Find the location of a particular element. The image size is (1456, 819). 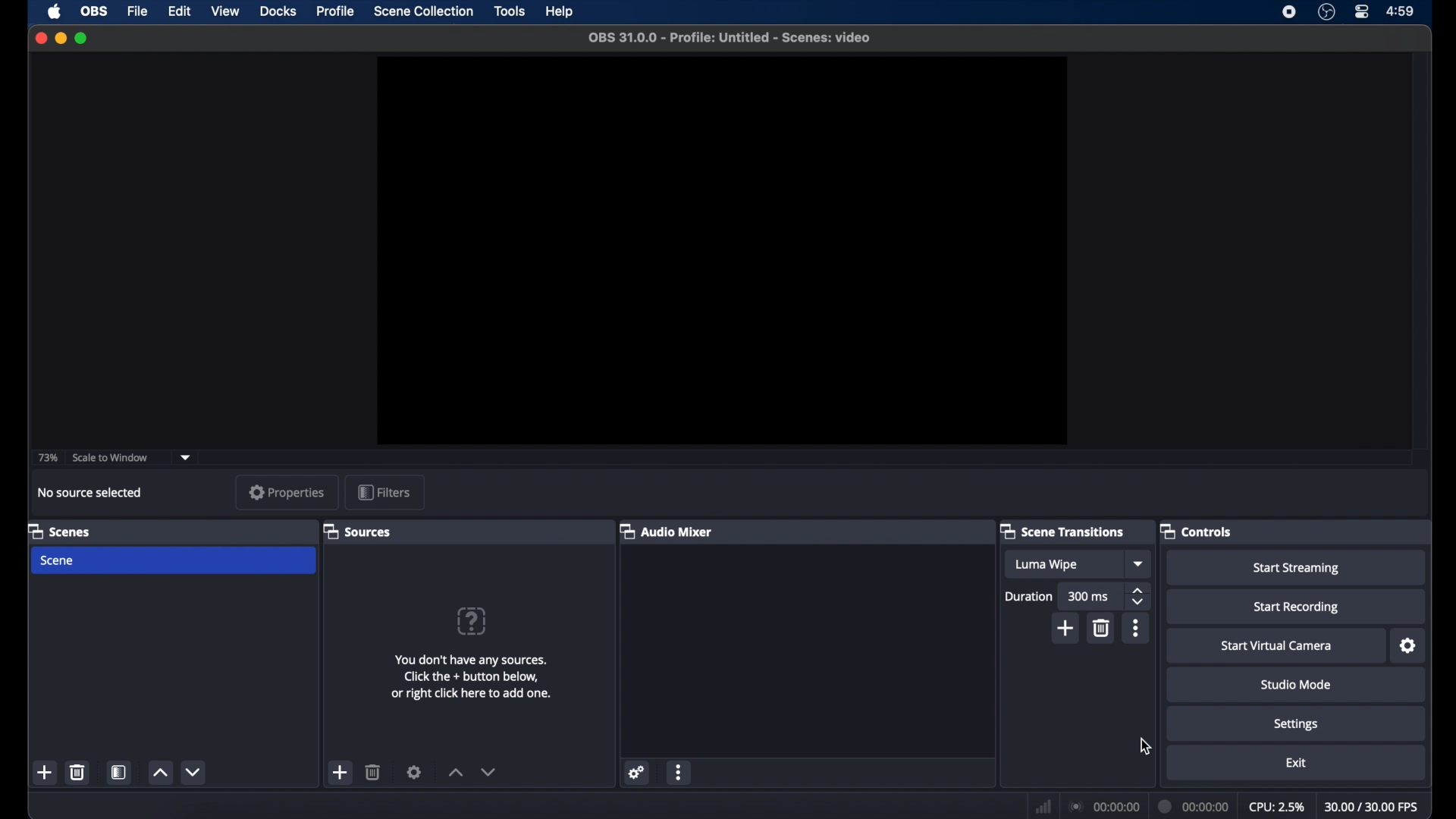

300 ms is located at coordinates (1089, 596).